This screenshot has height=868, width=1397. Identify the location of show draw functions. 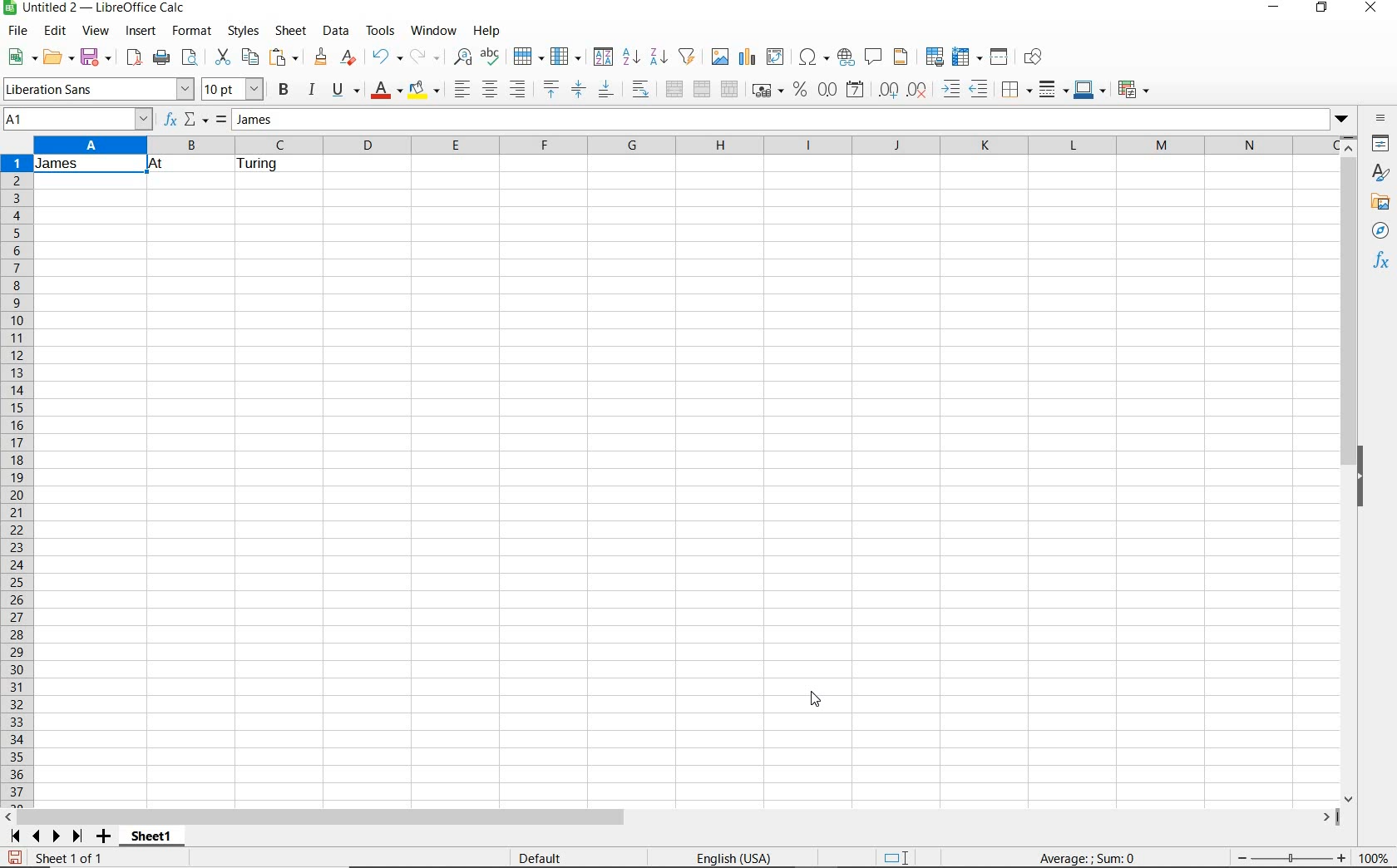
(1038, 59).